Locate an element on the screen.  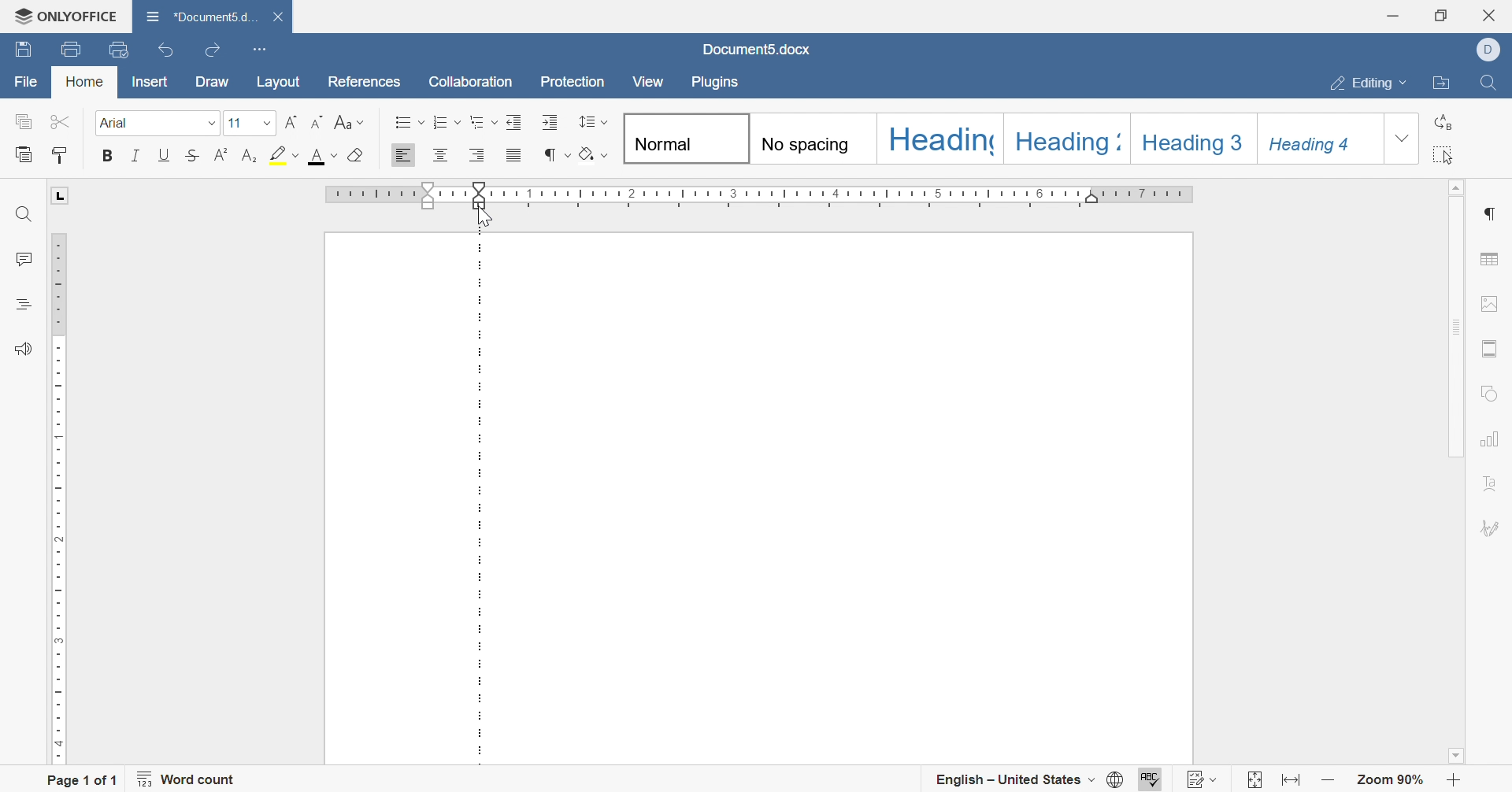
table settings is located at coordinates (1492, 260).